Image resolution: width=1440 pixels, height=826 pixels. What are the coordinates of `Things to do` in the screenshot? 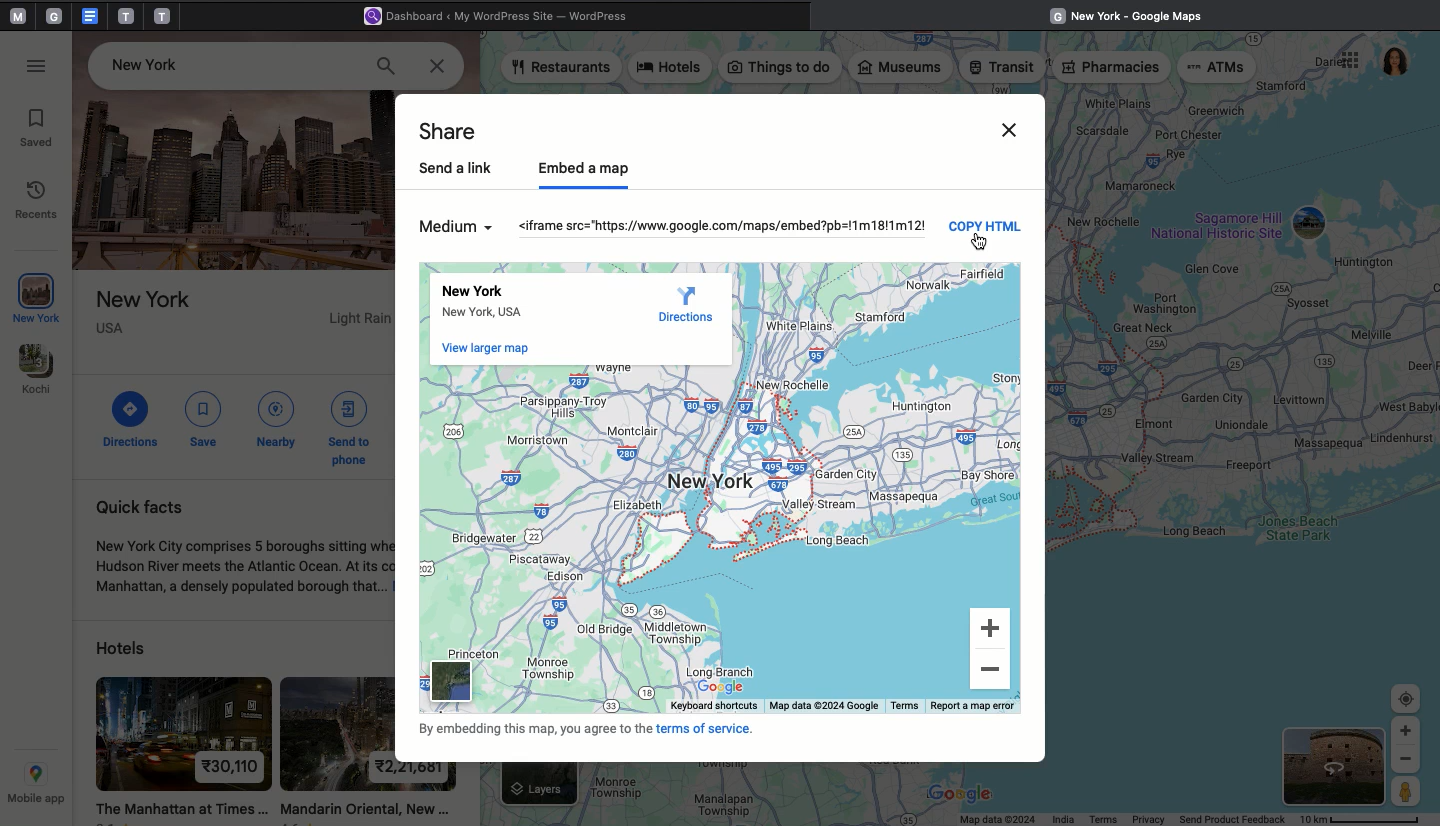 It's located at (780, 68).